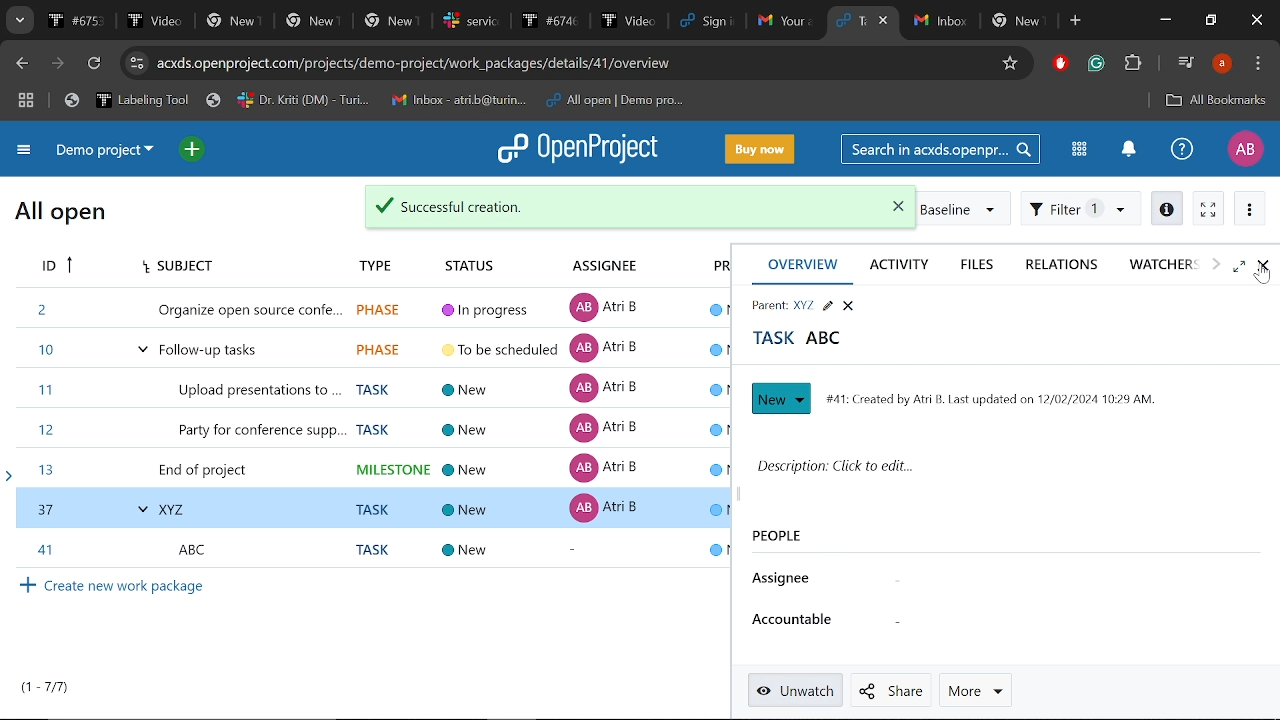 This screenshot has width=1280, height=720. Describe the element at coordinates (965, 208) in the screenshot. I see `Baseline` at that location.